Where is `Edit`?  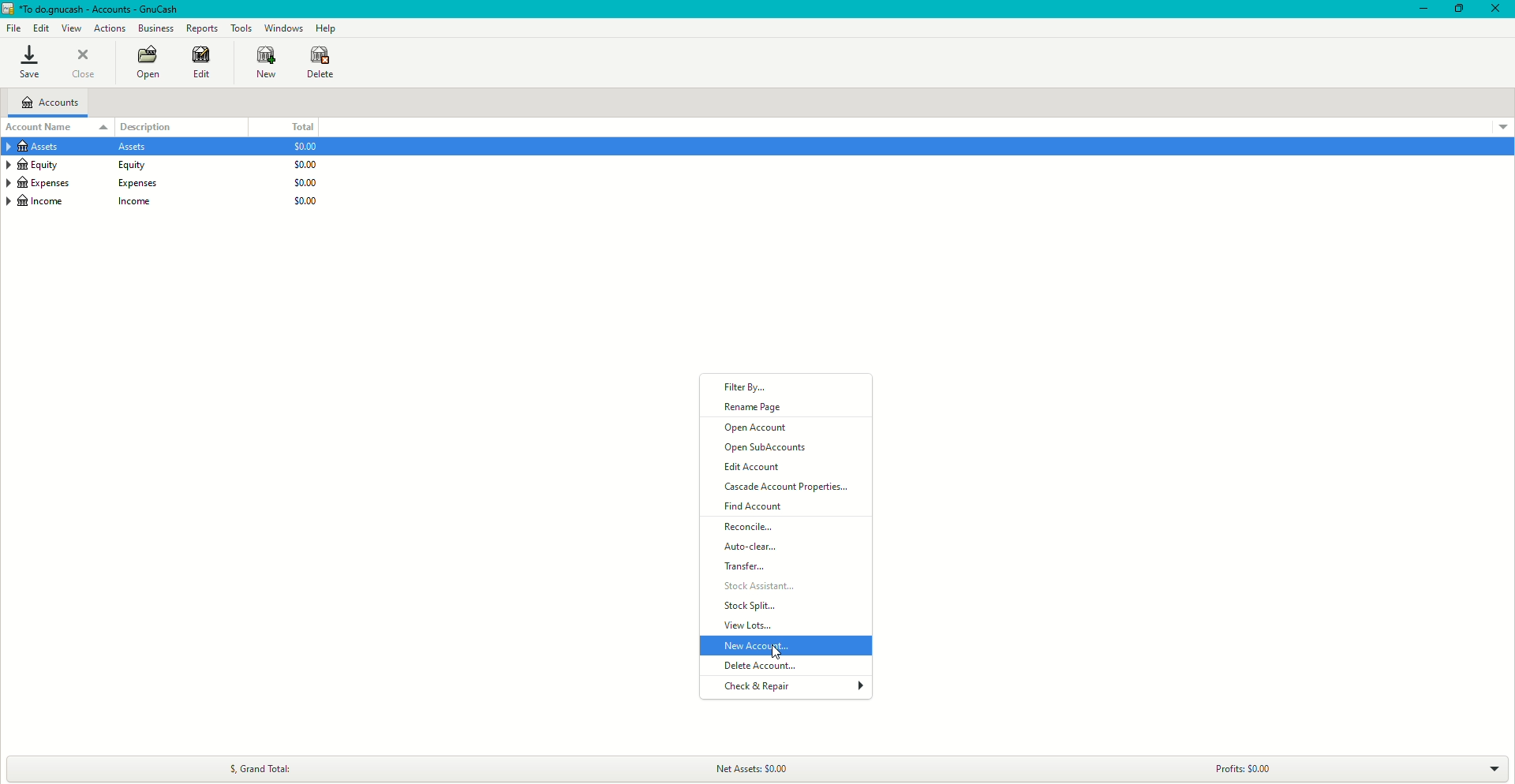
Edit is located at coordinates (198, 63).